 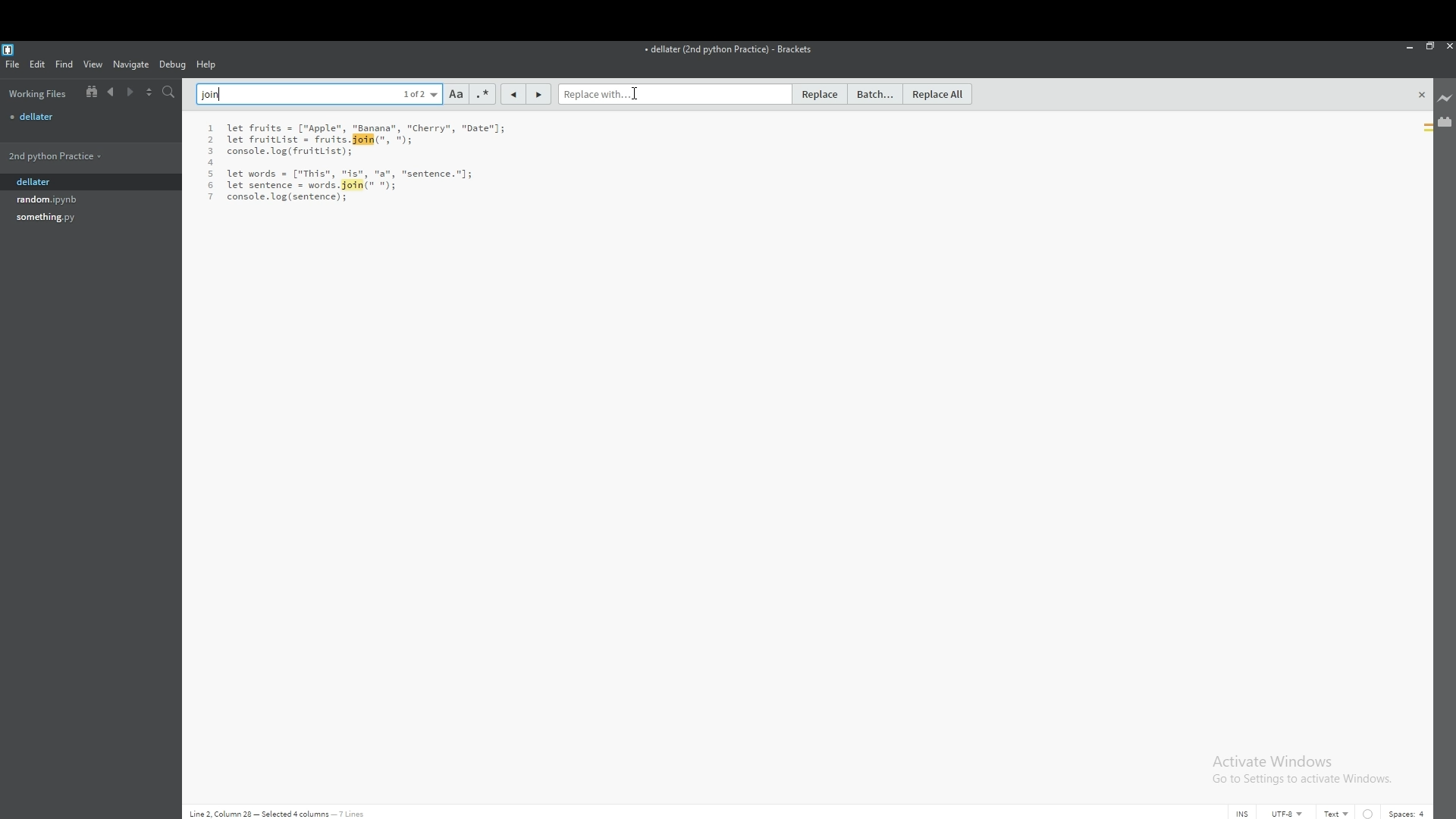 I want to click on file, so click(x=89, y=116).